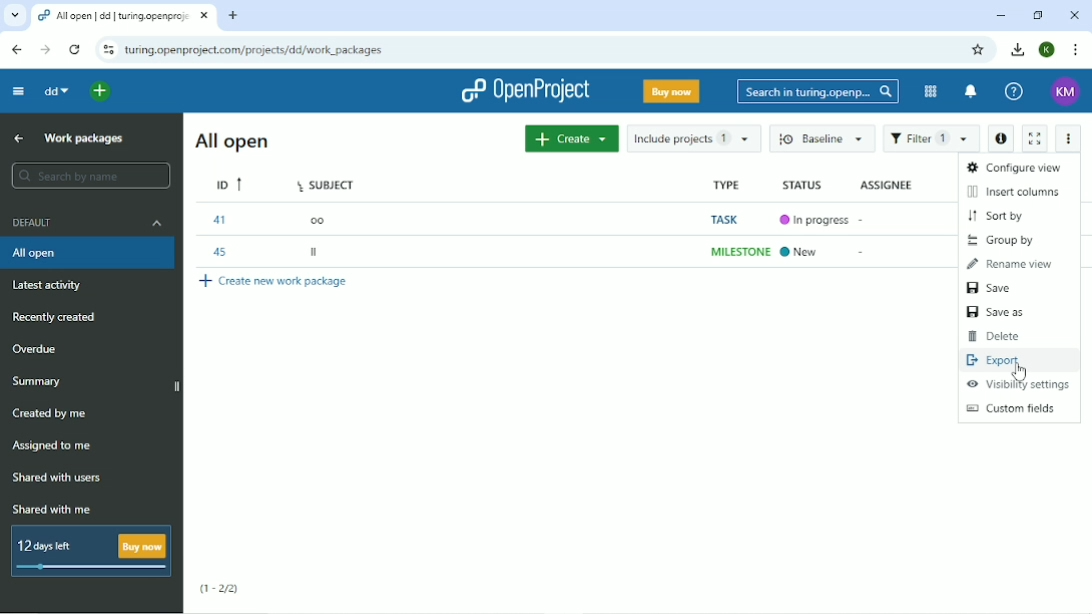  Describe the element at coordinates (55, 447) in the screenshot. I see `Assigned to me` at that location.